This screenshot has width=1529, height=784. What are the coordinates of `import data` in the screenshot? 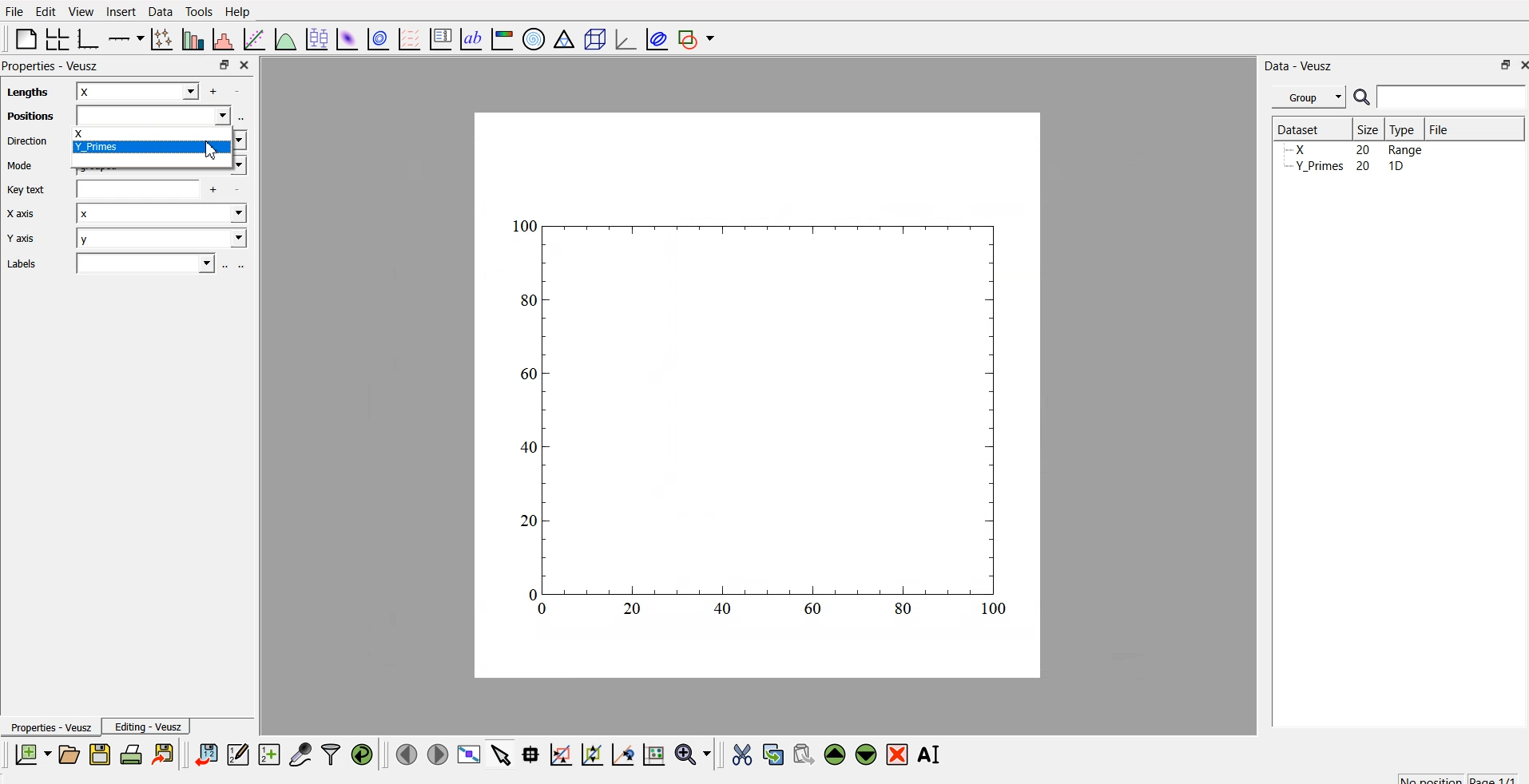 It's located at (207, 752).